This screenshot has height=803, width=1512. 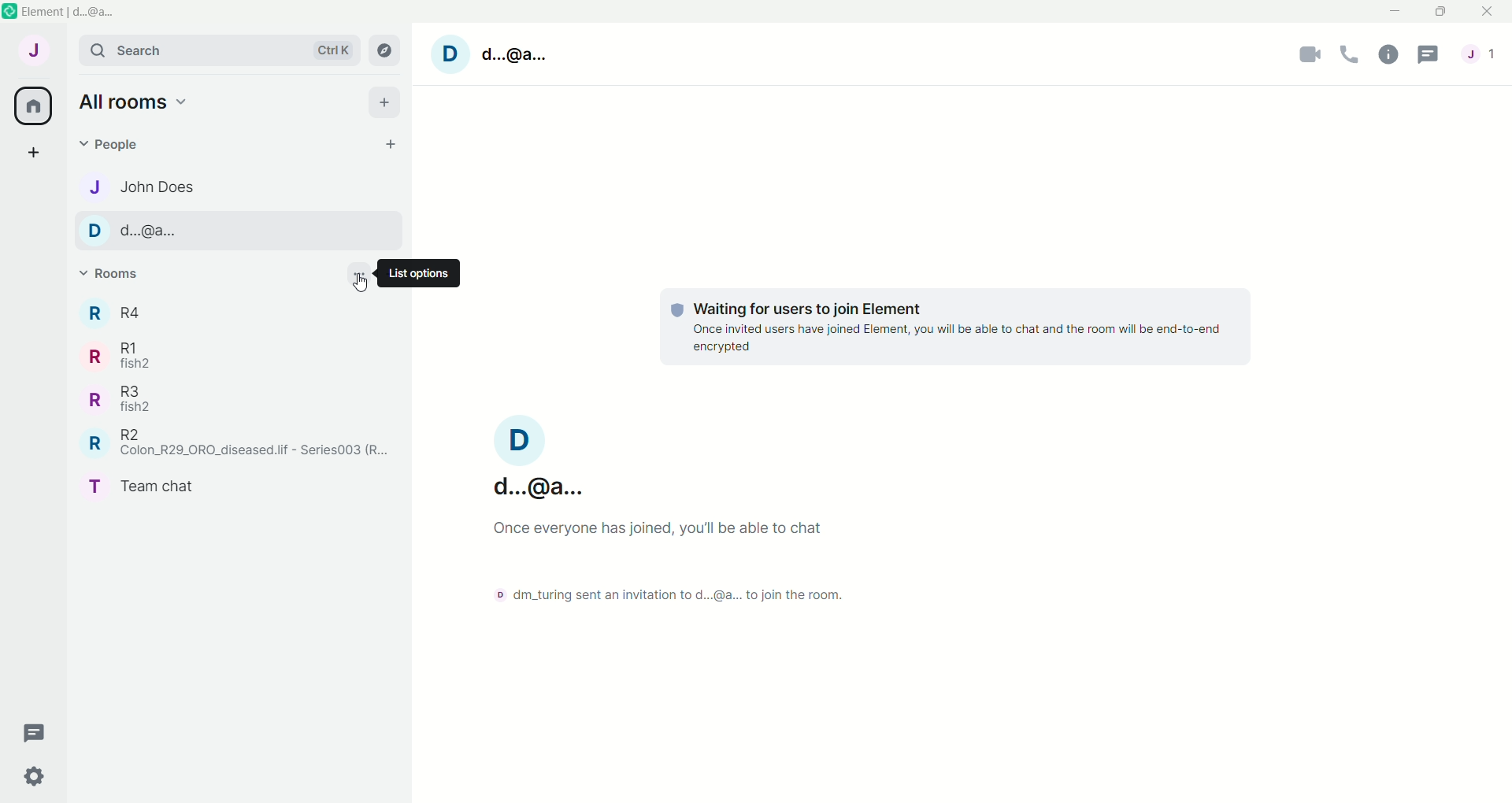 What do you see at coordinates (360, 283) in the screenshot?
I see `Cursor` at bounding box center [360, 283].